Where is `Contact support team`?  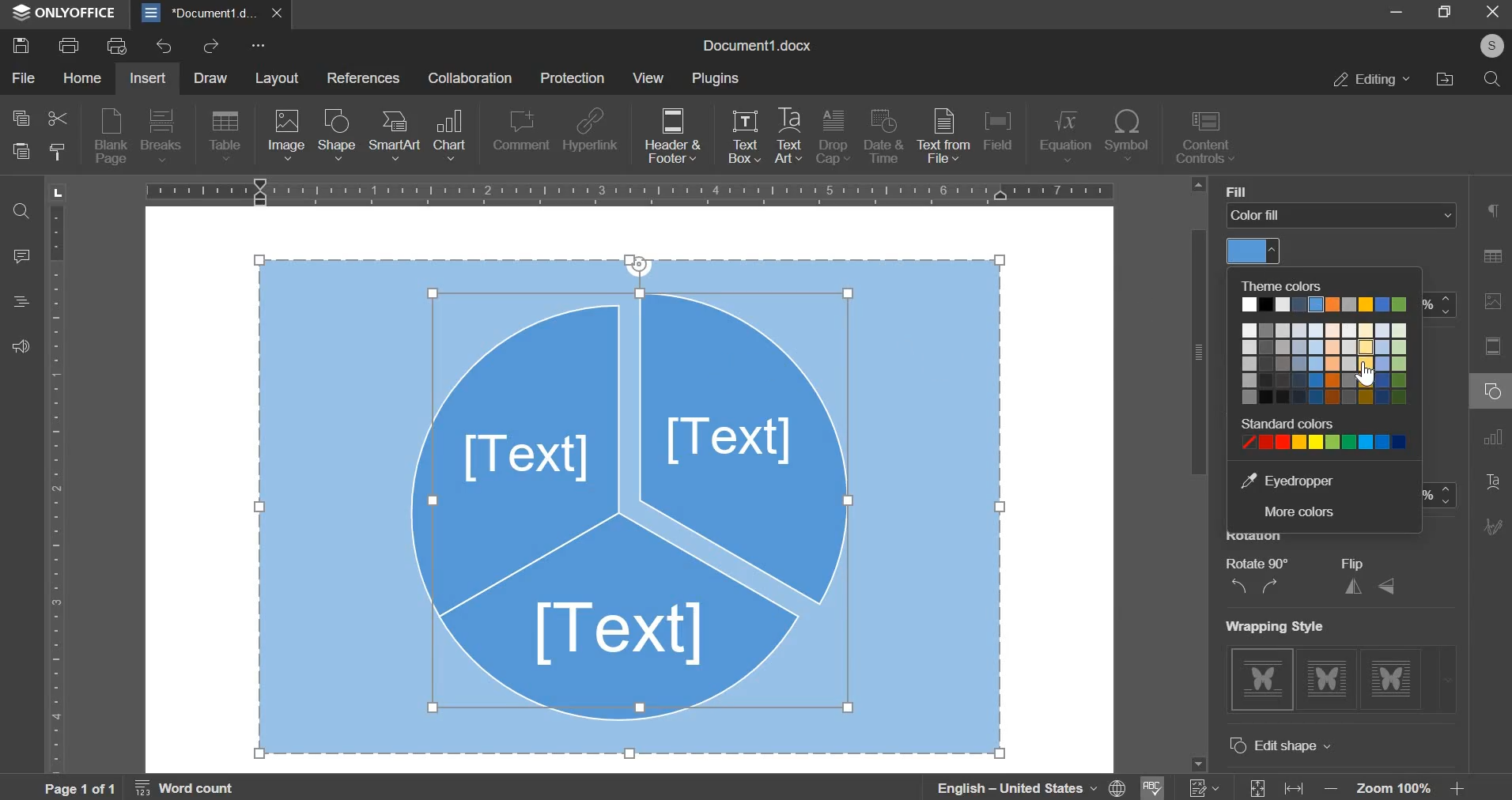 Contact support team is located at coordinates (21, 348).